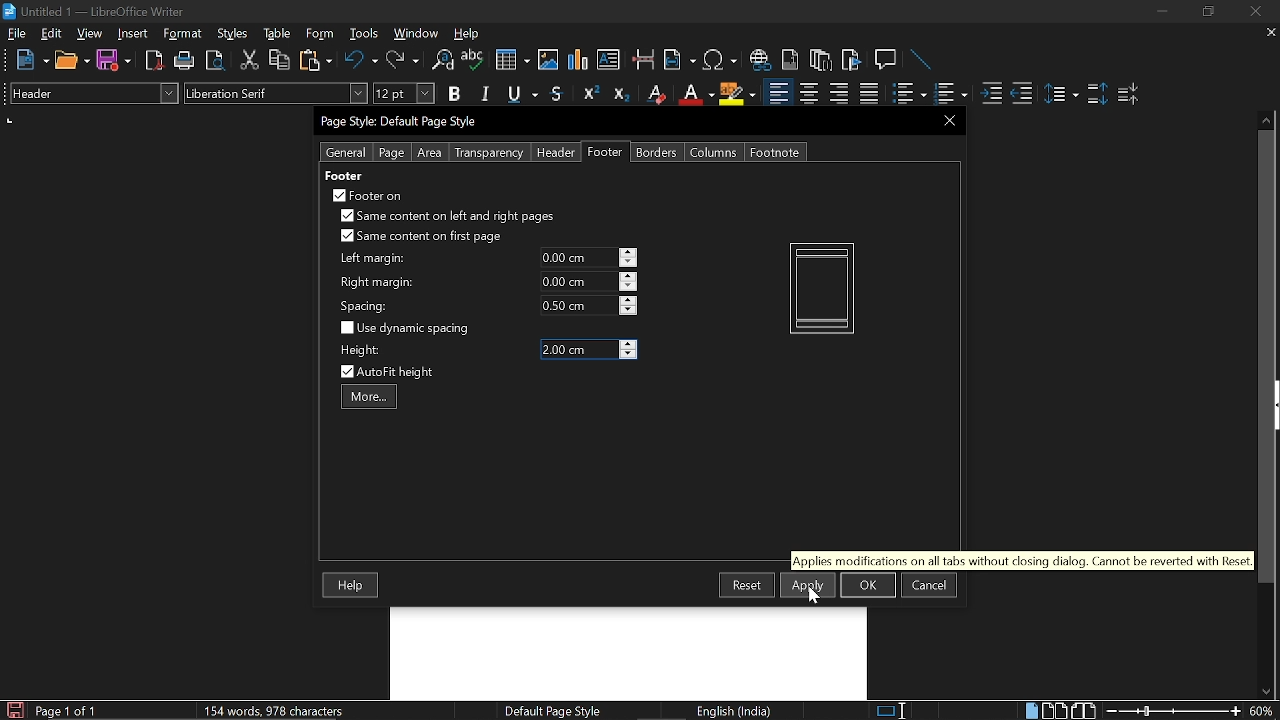 This screenshot has height=720, width=1280. I want to click on Superscript, so click(588, 94).